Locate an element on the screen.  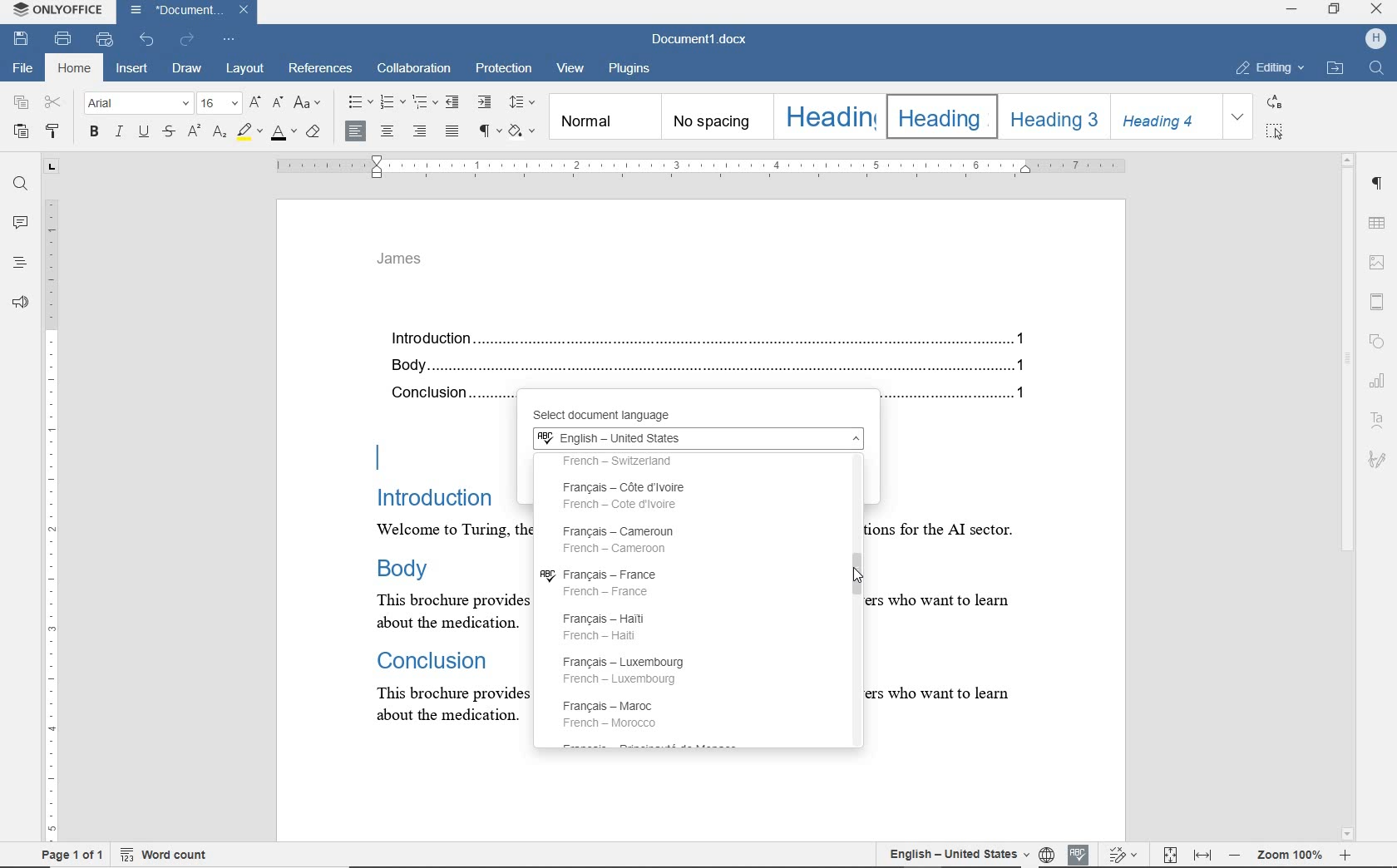
Text Art is located at coordinates (1379, 421).